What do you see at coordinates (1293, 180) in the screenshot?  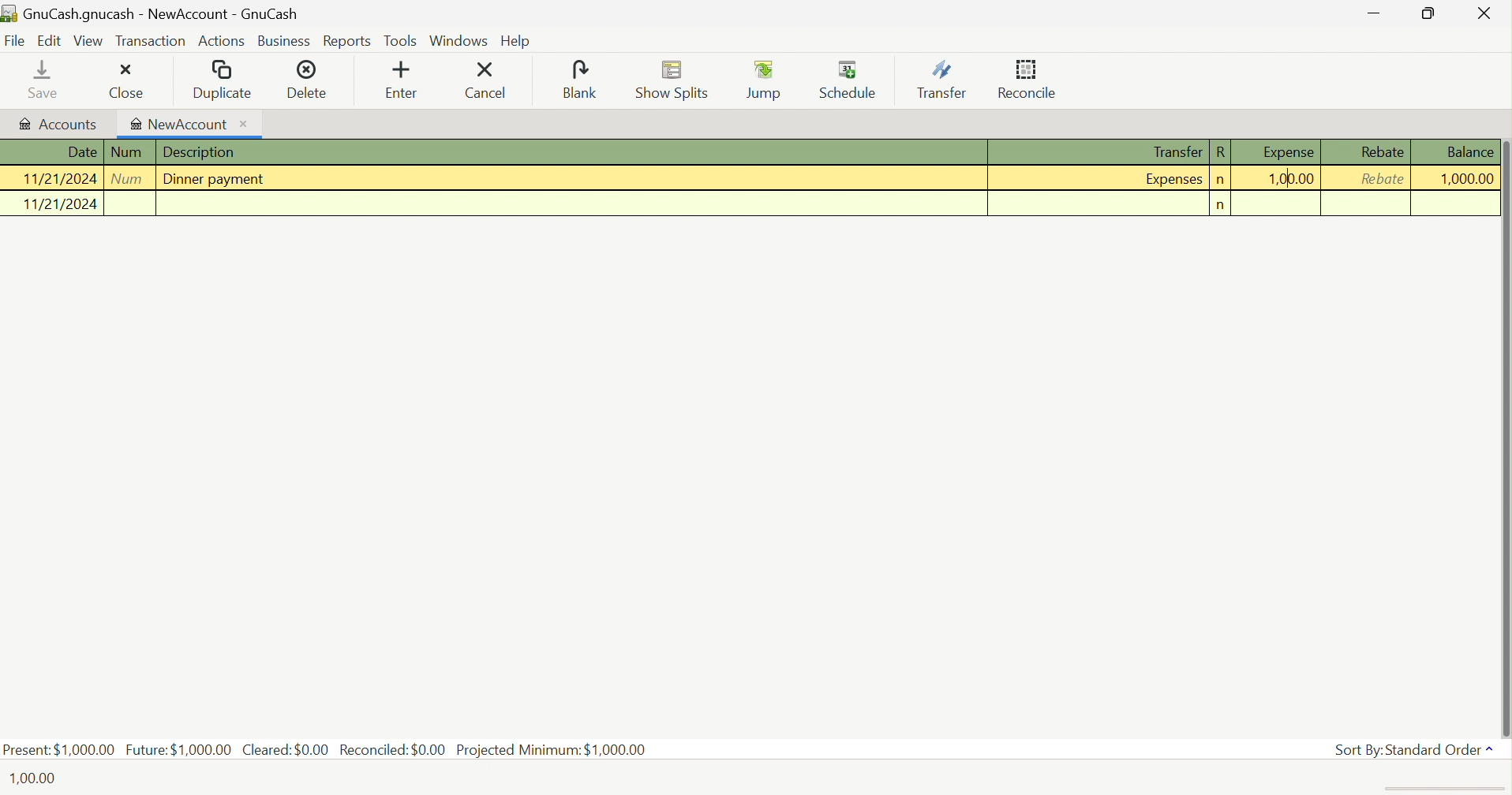 I see `1,00,00` at bounding box center [1293, 180].